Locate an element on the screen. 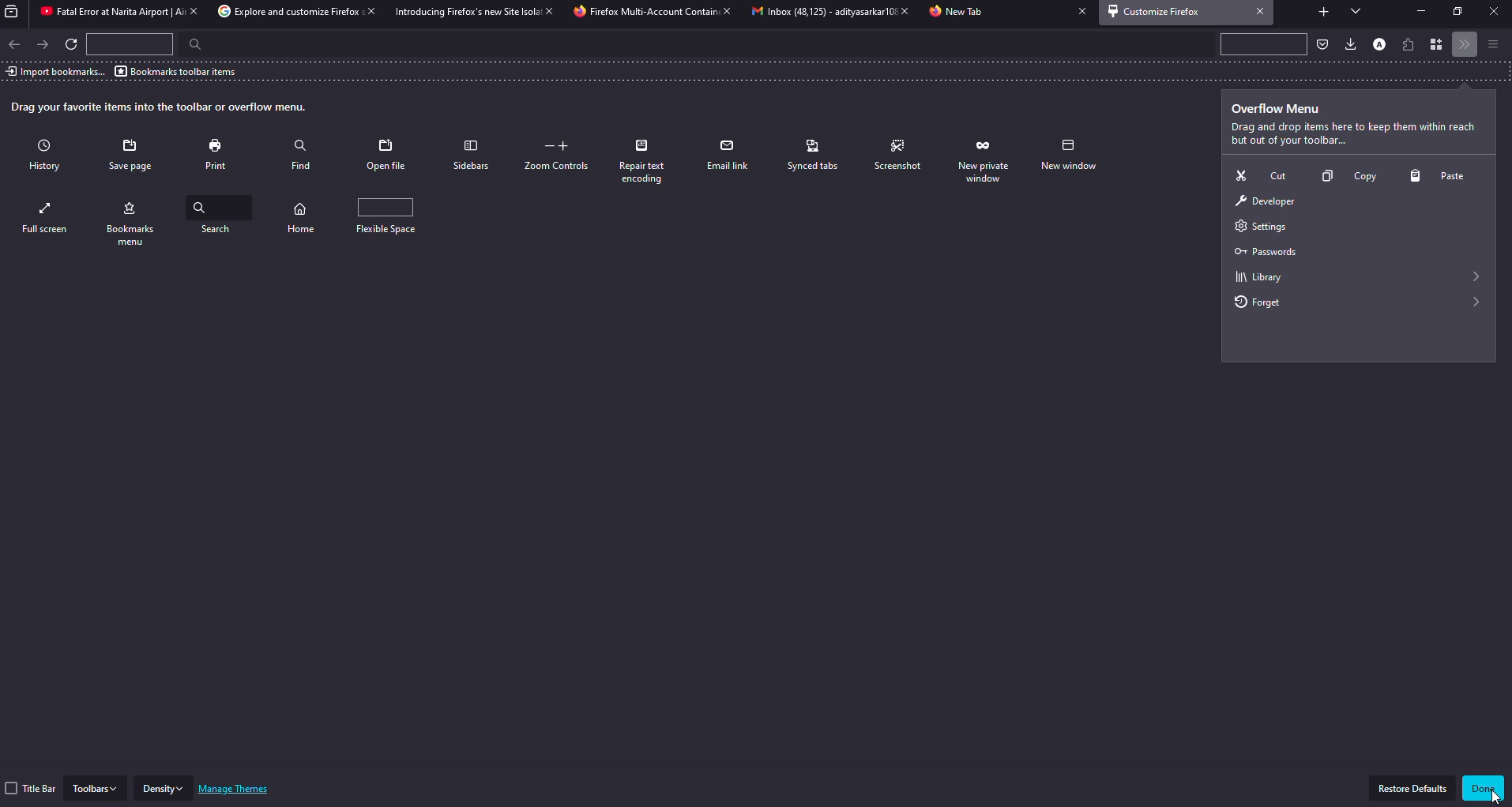 The image size is (1512, 807). bookmarks menu is located at coordinates (219, 220).